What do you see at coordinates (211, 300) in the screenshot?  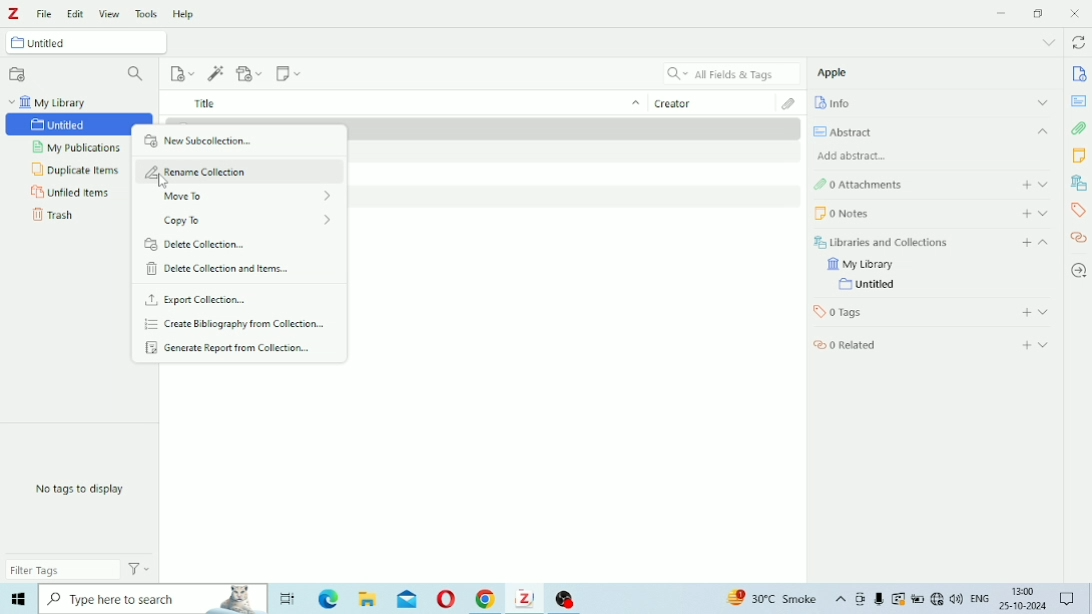 I see `Export Collecton...` at bounding box center [211, 300].